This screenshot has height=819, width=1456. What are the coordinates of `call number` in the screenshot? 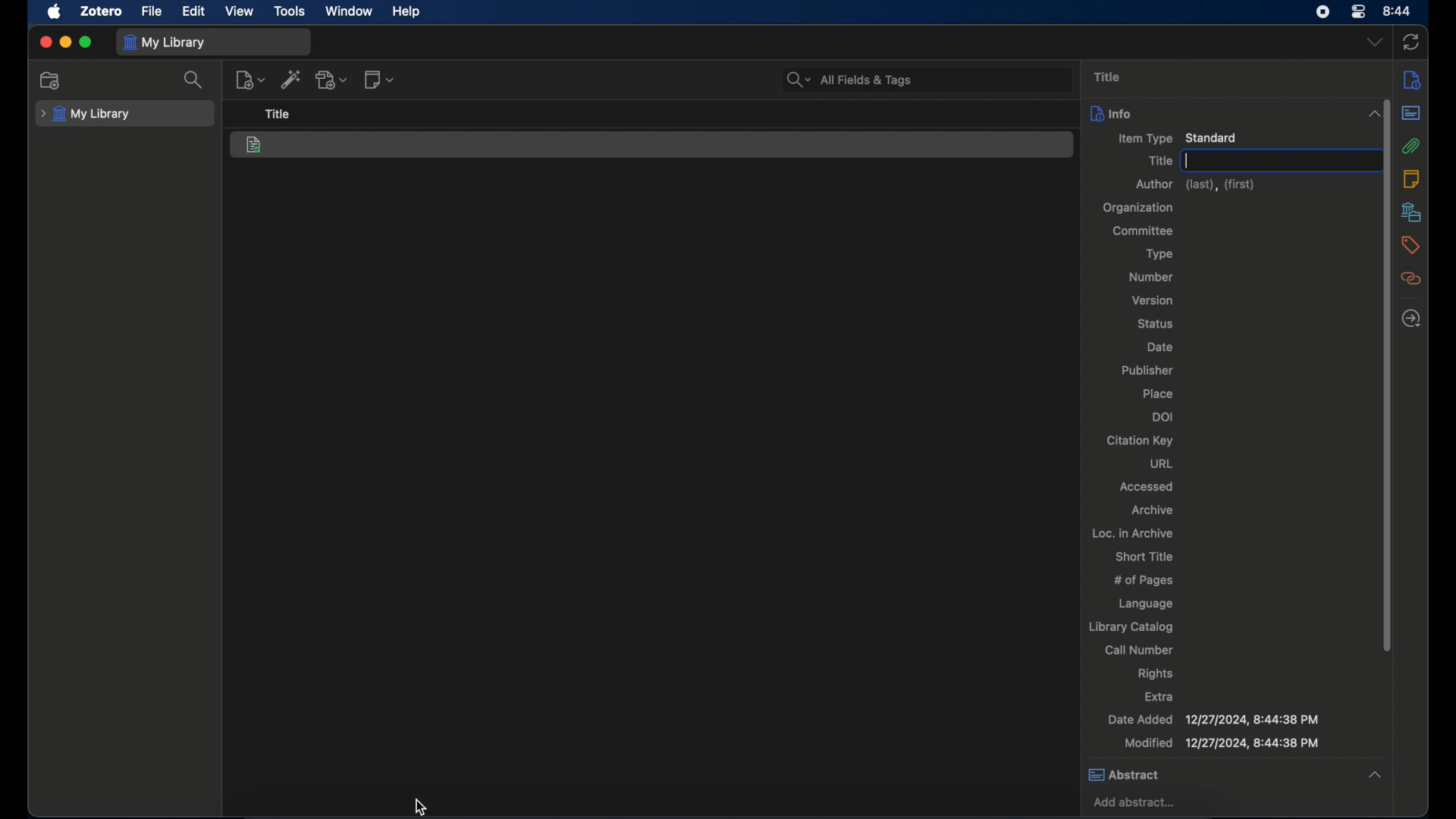 It's located at (1139, 651).